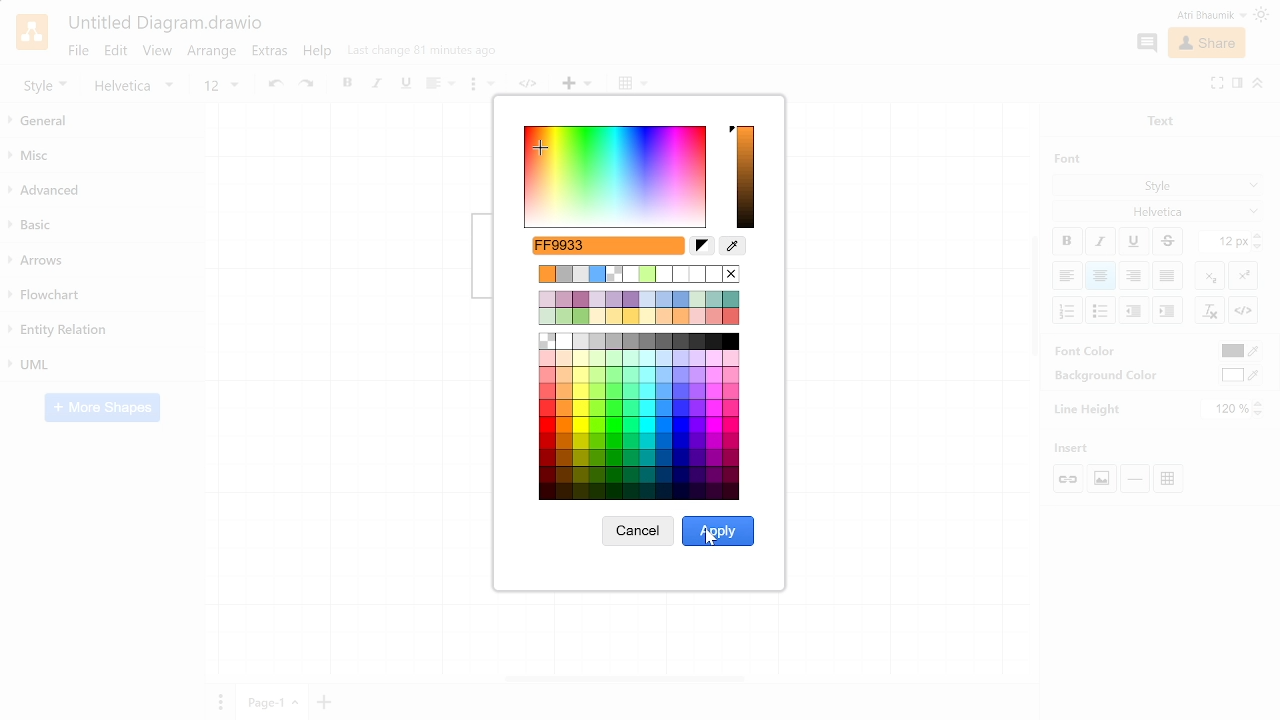  I want to click on Background color, so click(1241, 375).